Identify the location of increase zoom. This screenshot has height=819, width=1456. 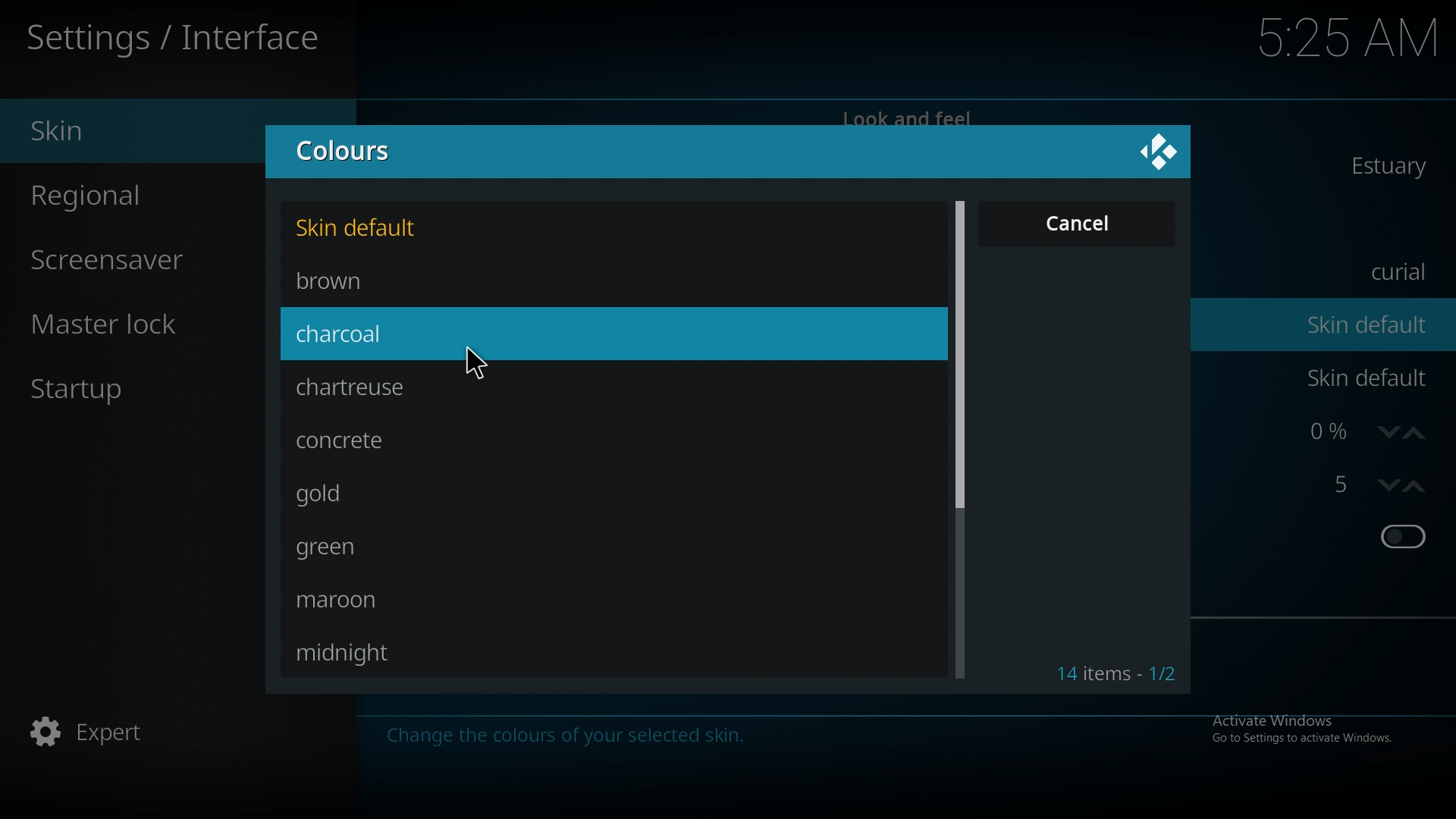
(1415, 431).